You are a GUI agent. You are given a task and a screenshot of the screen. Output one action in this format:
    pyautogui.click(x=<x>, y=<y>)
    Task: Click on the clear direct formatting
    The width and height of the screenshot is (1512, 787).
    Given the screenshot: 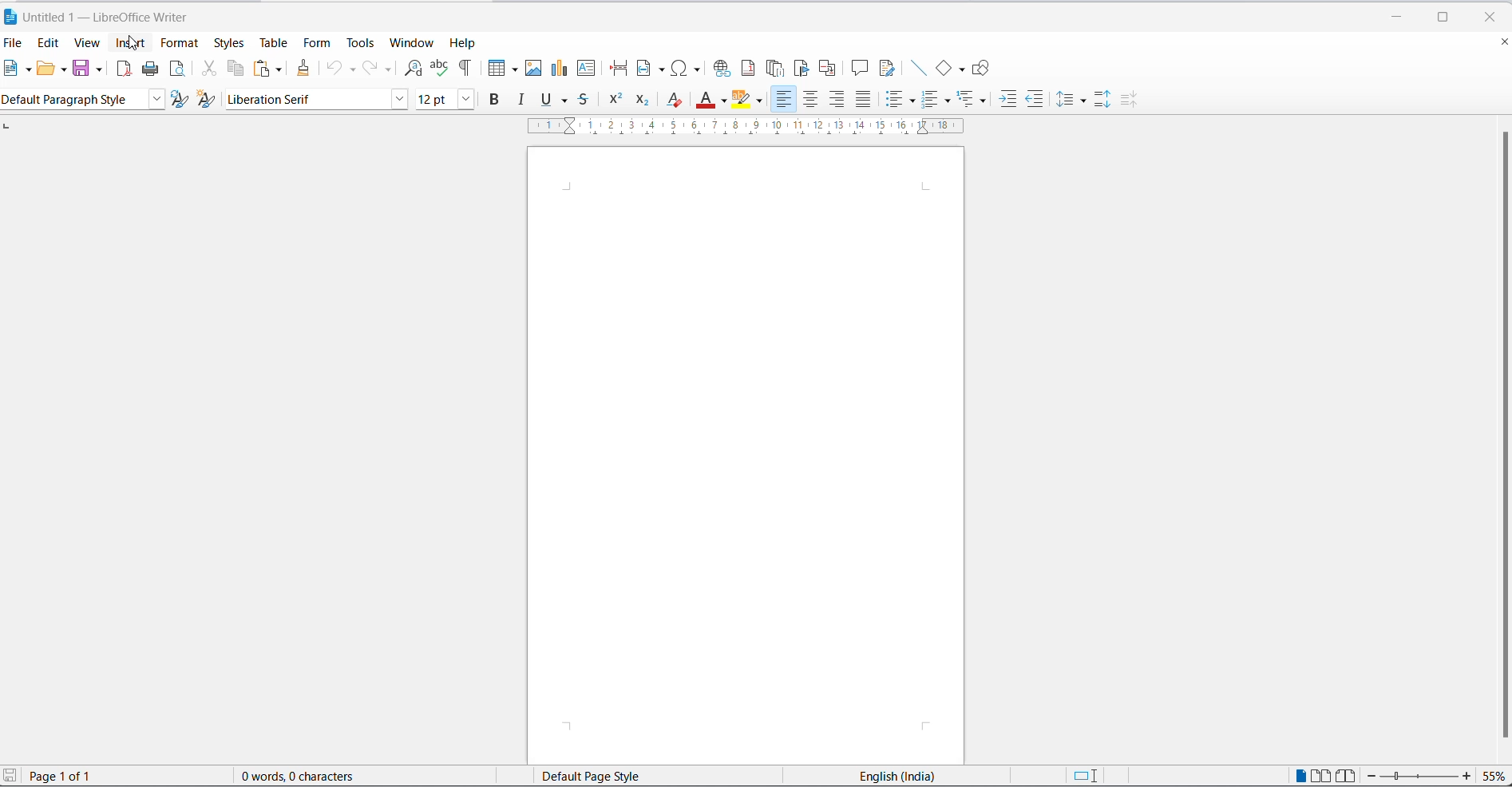 What is the action you would take?
    pyautogui.click(x=675, y=99)
    